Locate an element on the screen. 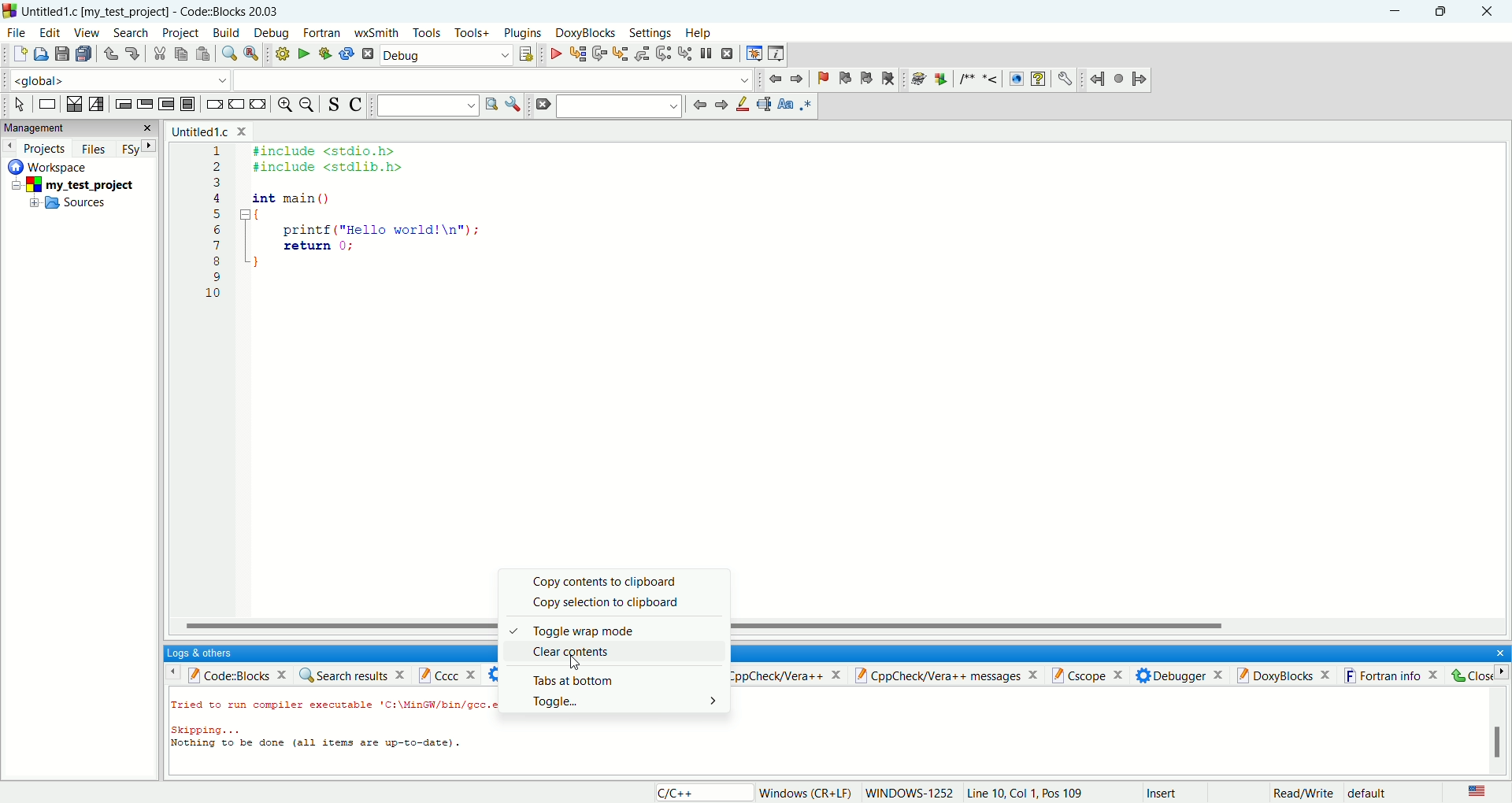  fortan is located at coordinates (324, 34).